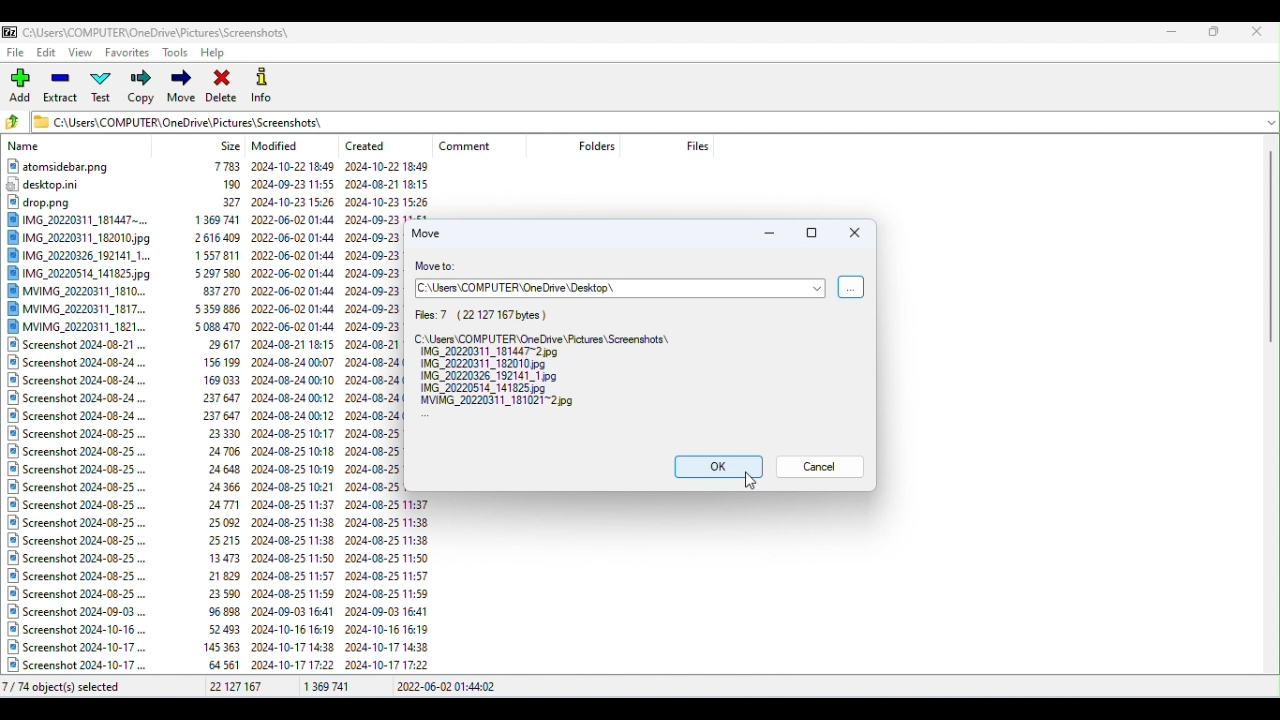 The height and width of the screenshot is (720, 1280). I want to click on Browse for folder, so click(852, 287).